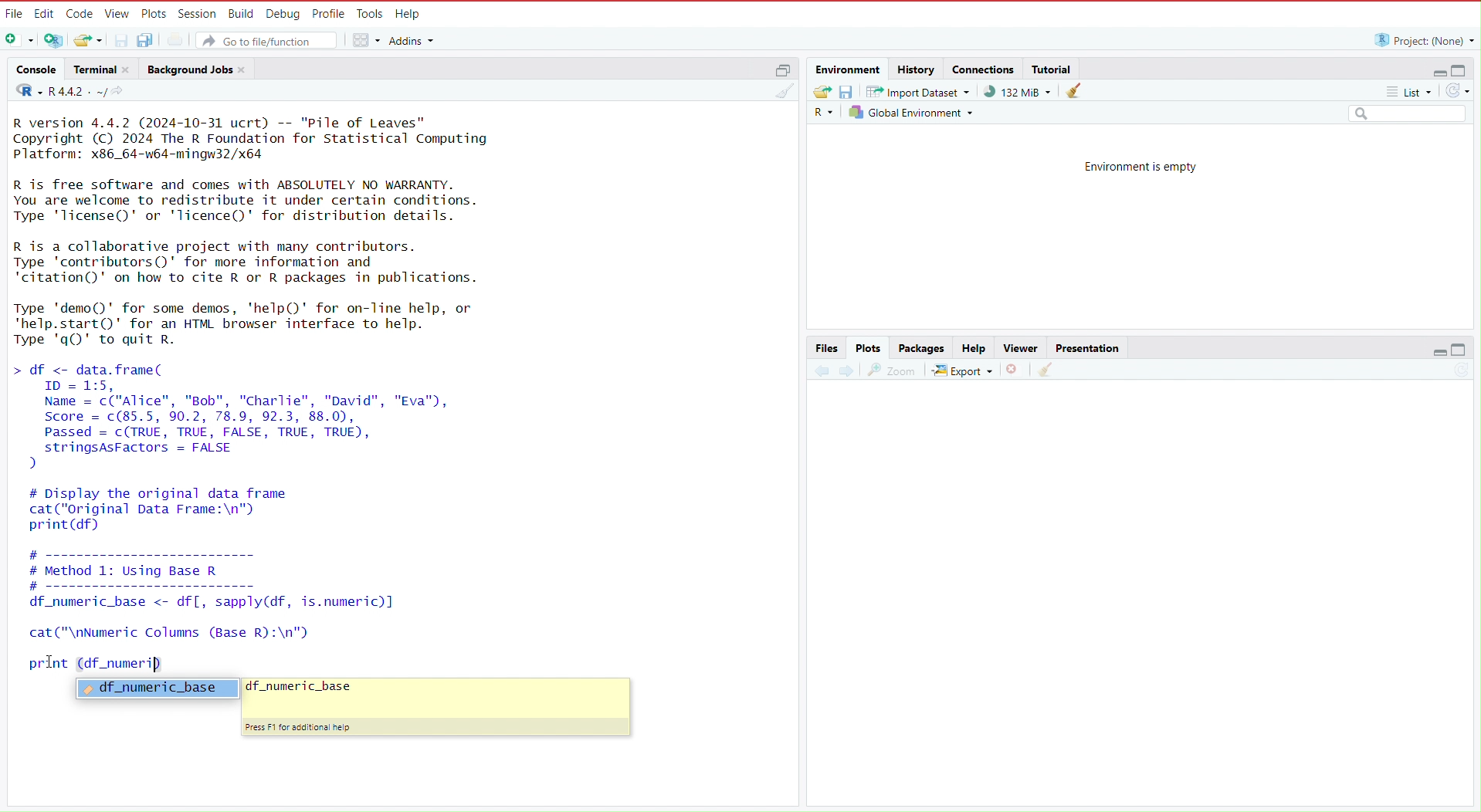 This screenshot has height=812, width=1481. What do you see at coordinates (197, 12) in the screenshot?
I see `session` at bounding box center [197, 12].